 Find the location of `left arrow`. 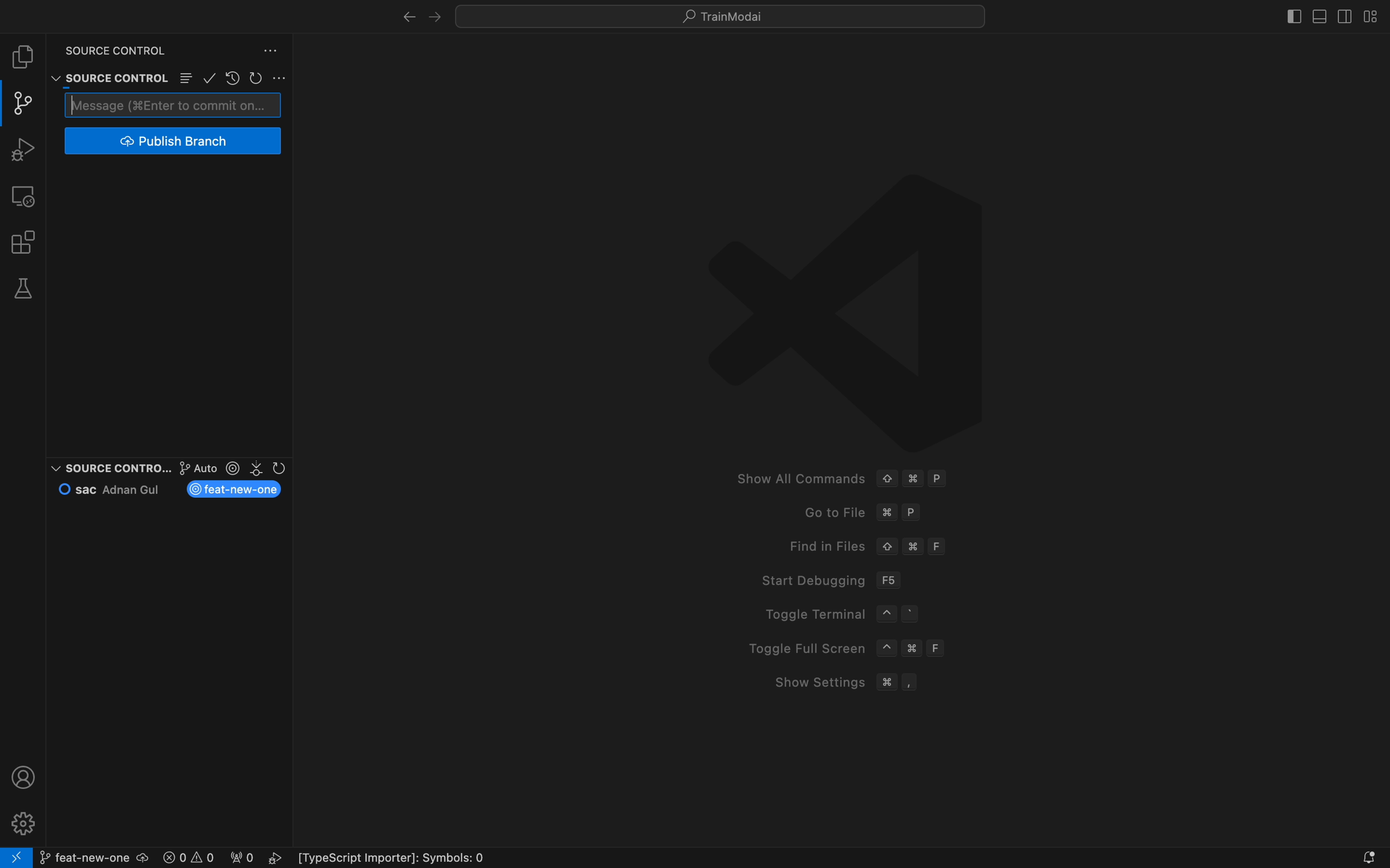

left arrow is located at coordinates (435, 15).